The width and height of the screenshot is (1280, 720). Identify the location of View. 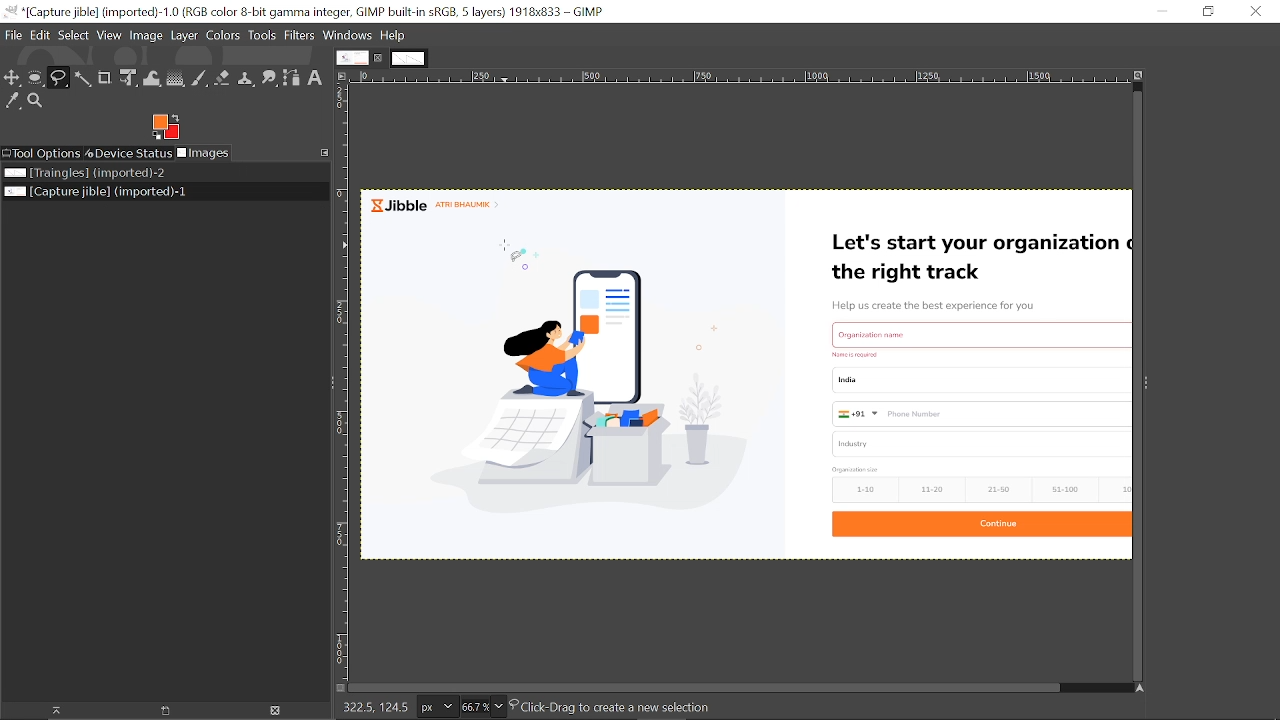
(110, 35).